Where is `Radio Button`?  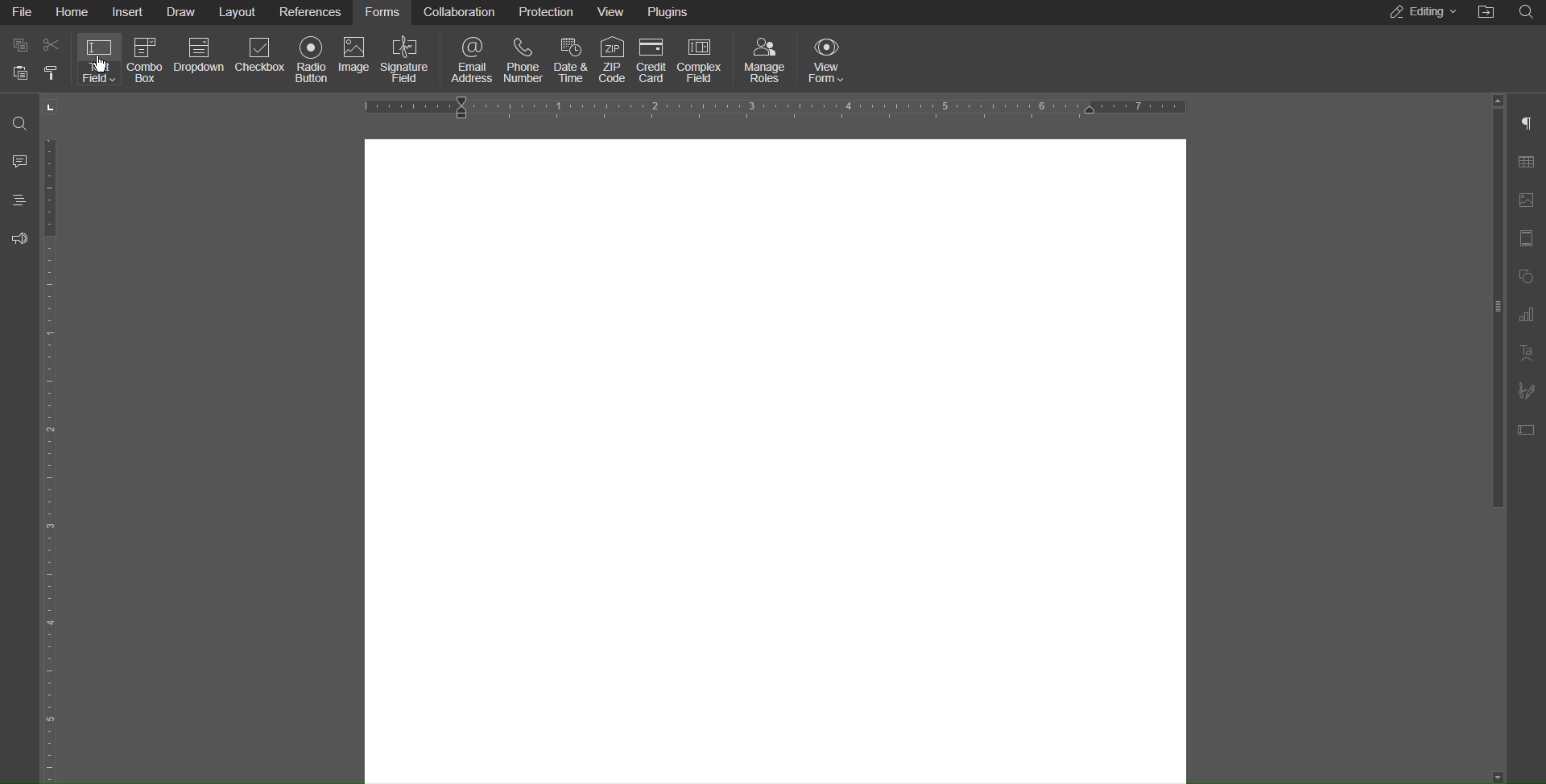
Radio Button is located at coordinates (313, 60).